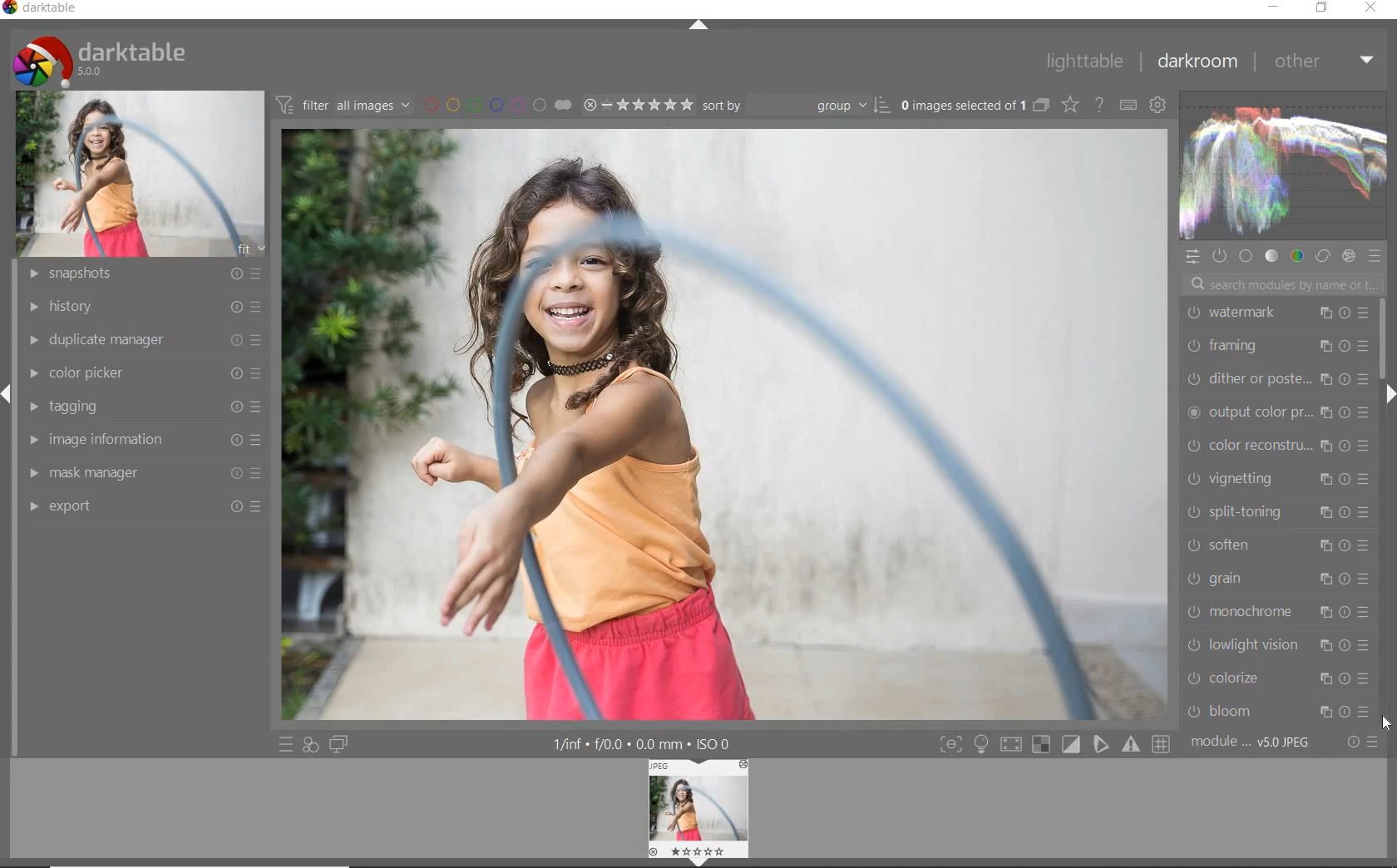  What do you see at coordinates (1098, 105) in the screenshot?
I see `enable for online help` at bounding box center [1098, 105].